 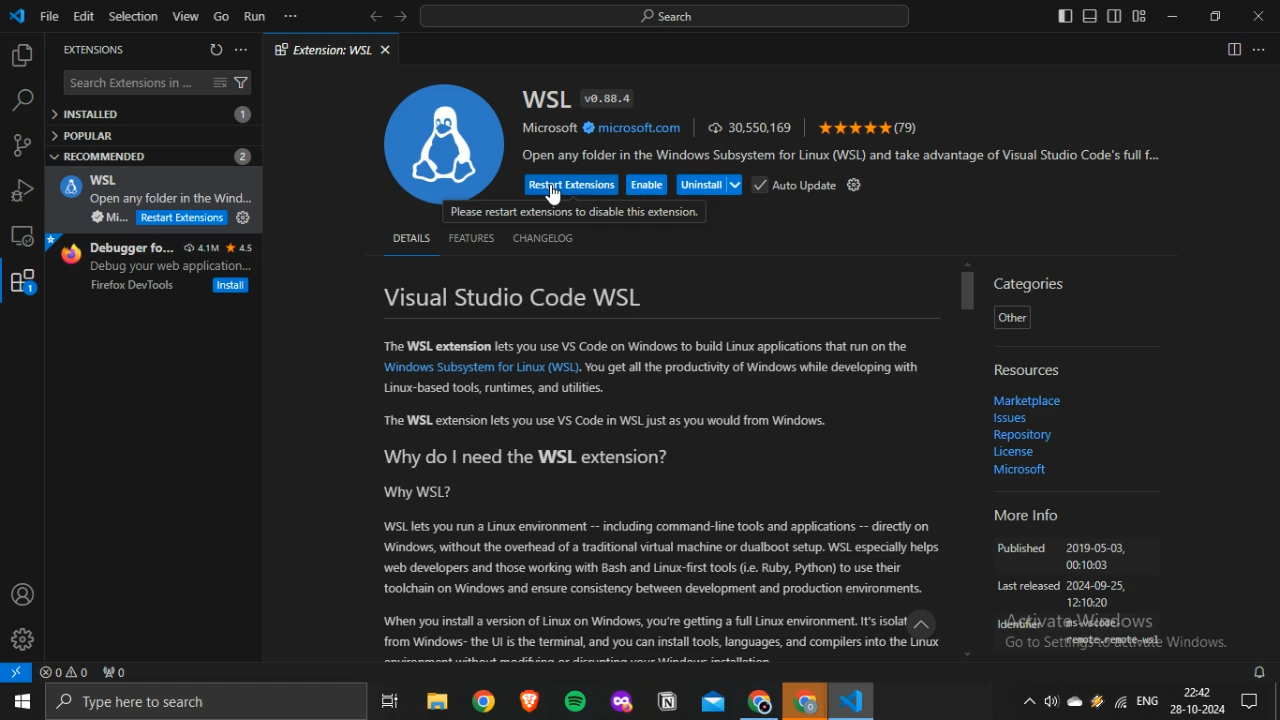 What do you see at coordinates (219, 248) in the screenshot?
I see `4.1M 4.5` at bounding box center [219, 248].